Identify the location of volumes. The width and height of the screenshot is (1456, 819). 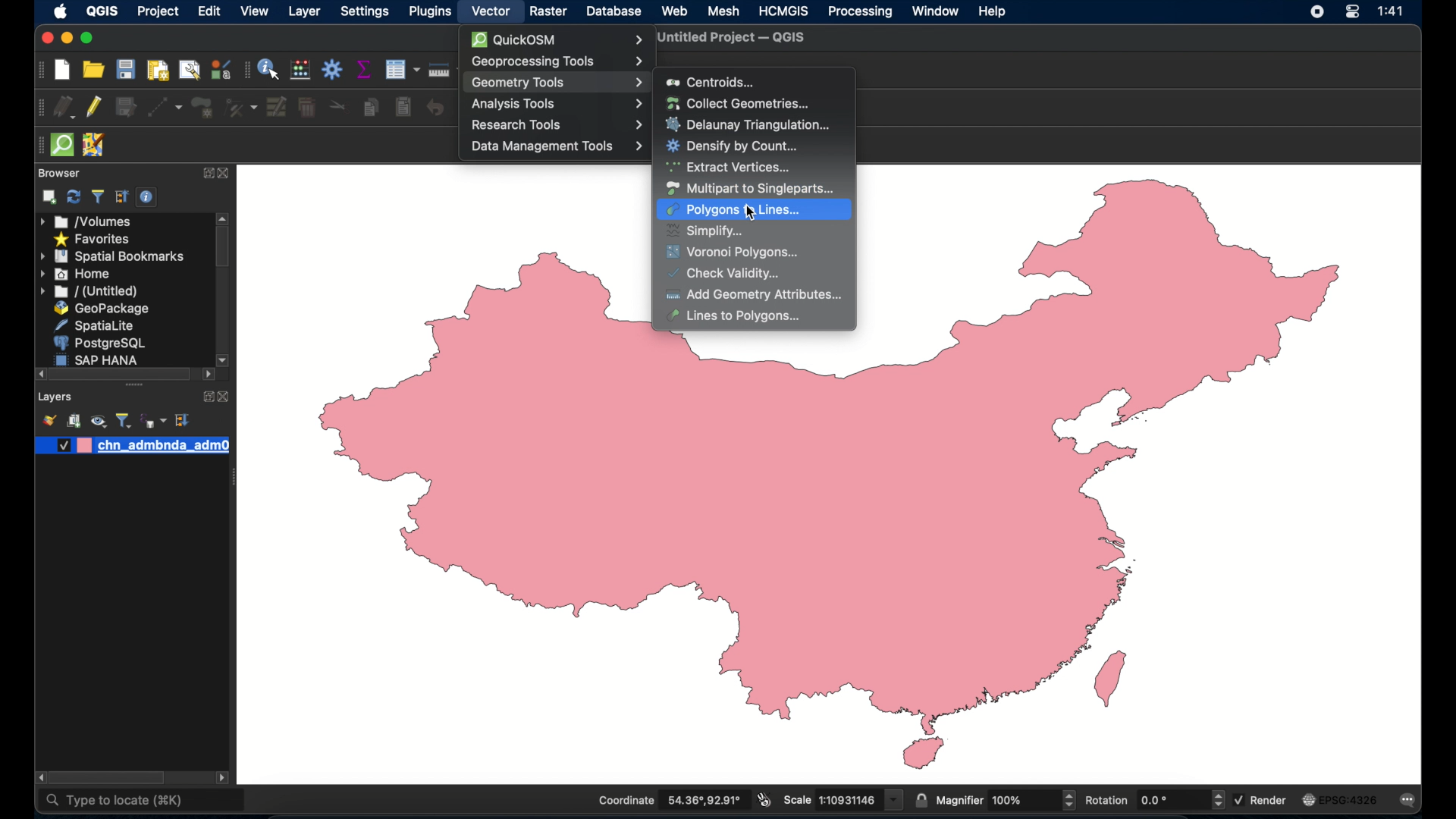
(86, 221).